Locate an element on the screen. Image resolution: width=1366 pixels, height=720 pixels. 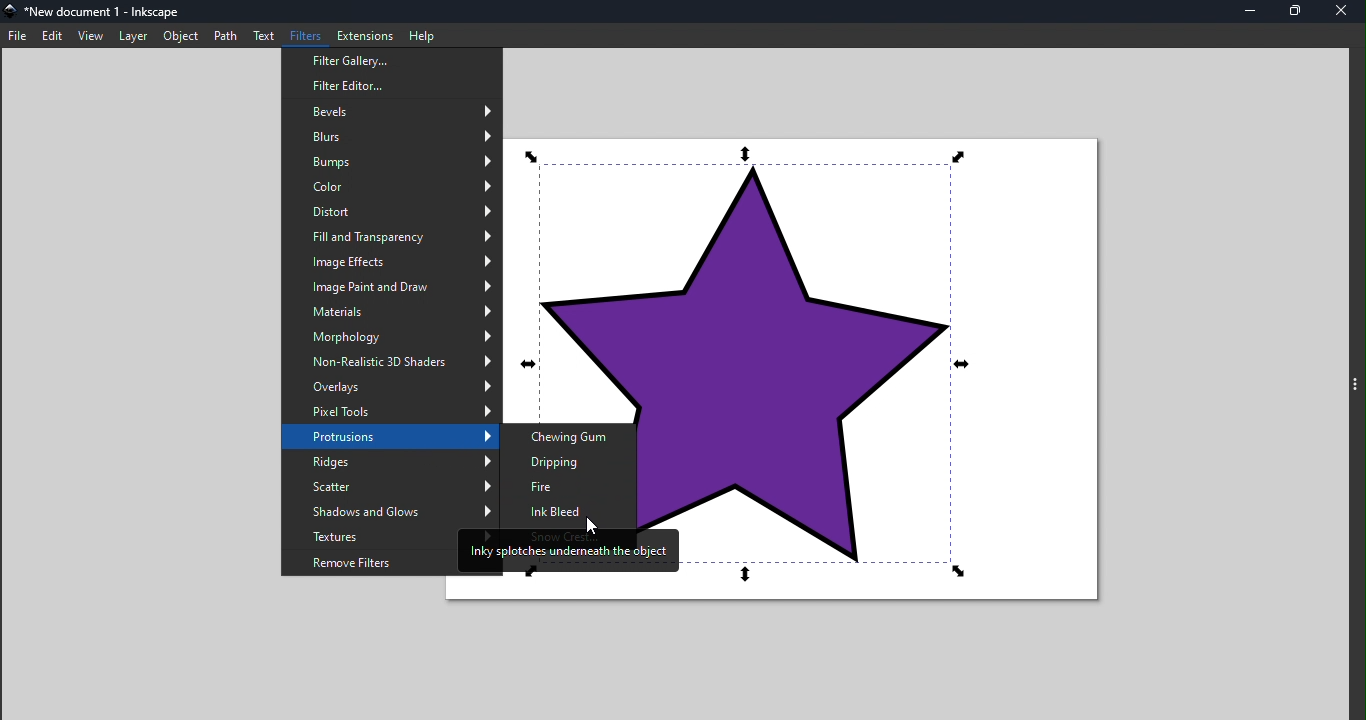
Maximize is located at coordinates (1296, 12).